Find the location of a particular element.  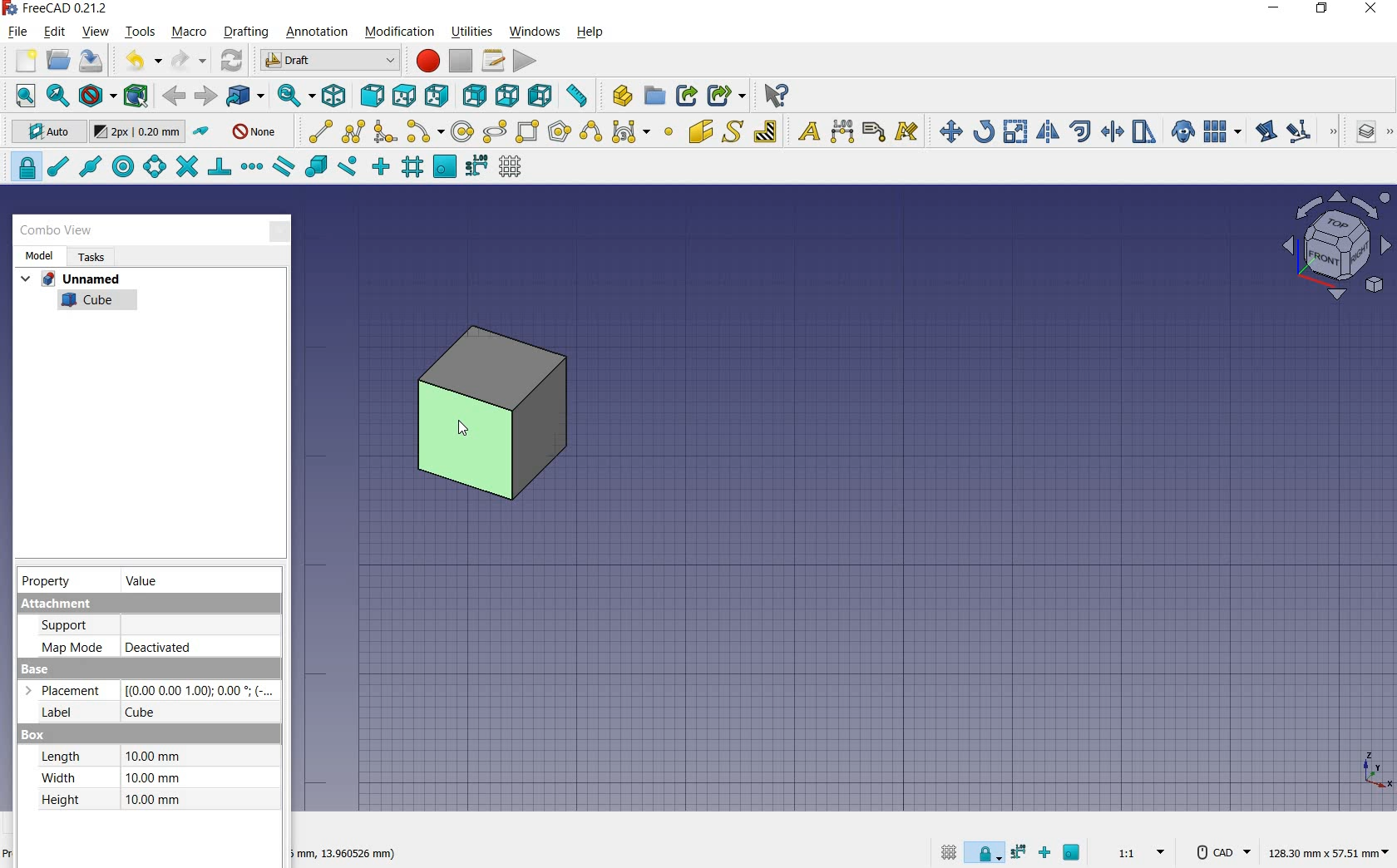

snap parallel is located at coordinates (284, 169).